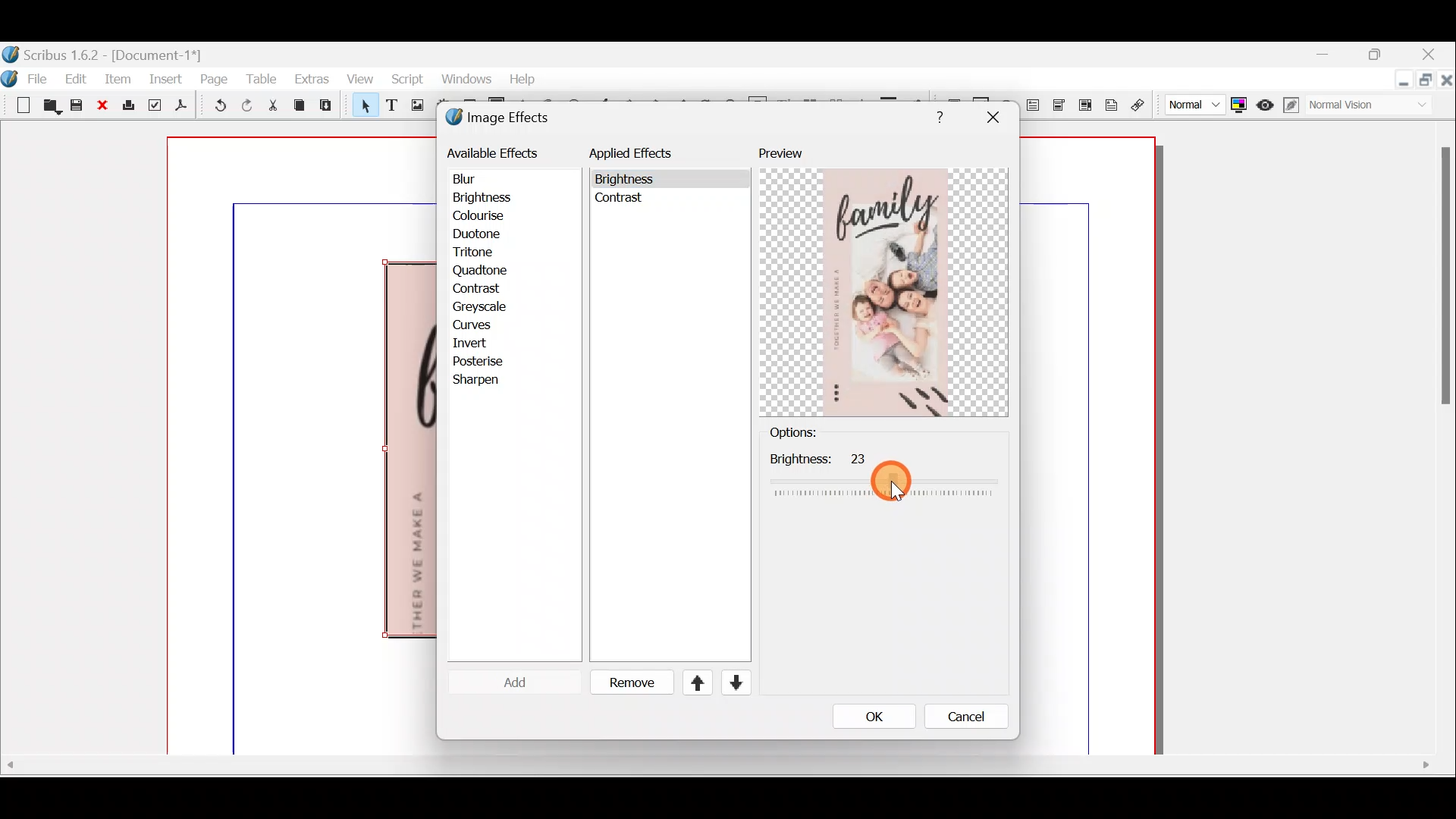 The width and height of the screenshot is (1456, 819). I want to click on Toggle colour management system, so click(1238, 102).